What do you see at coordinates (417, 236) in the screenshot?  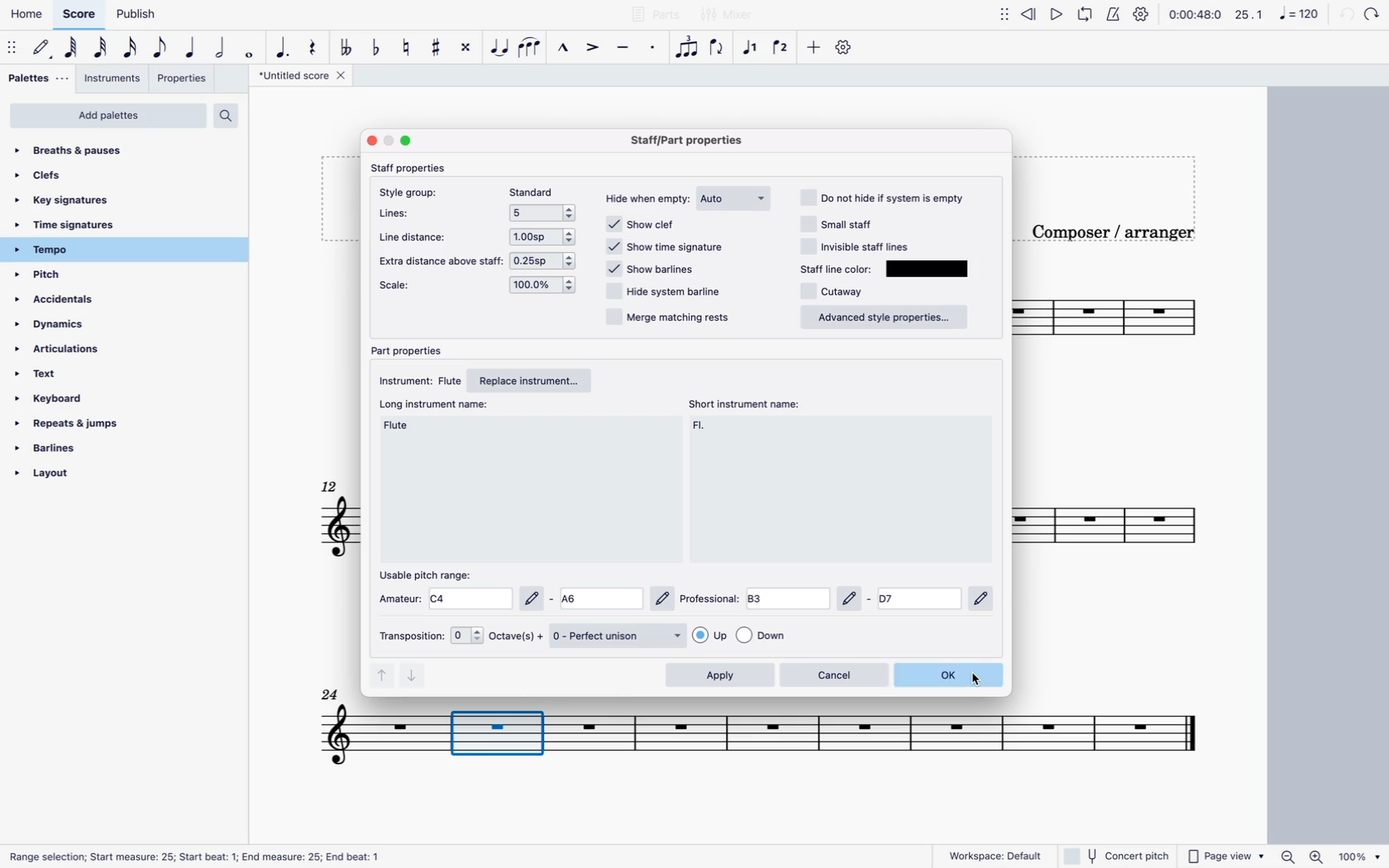 I see `line distance` at bounding box center [417, 236].